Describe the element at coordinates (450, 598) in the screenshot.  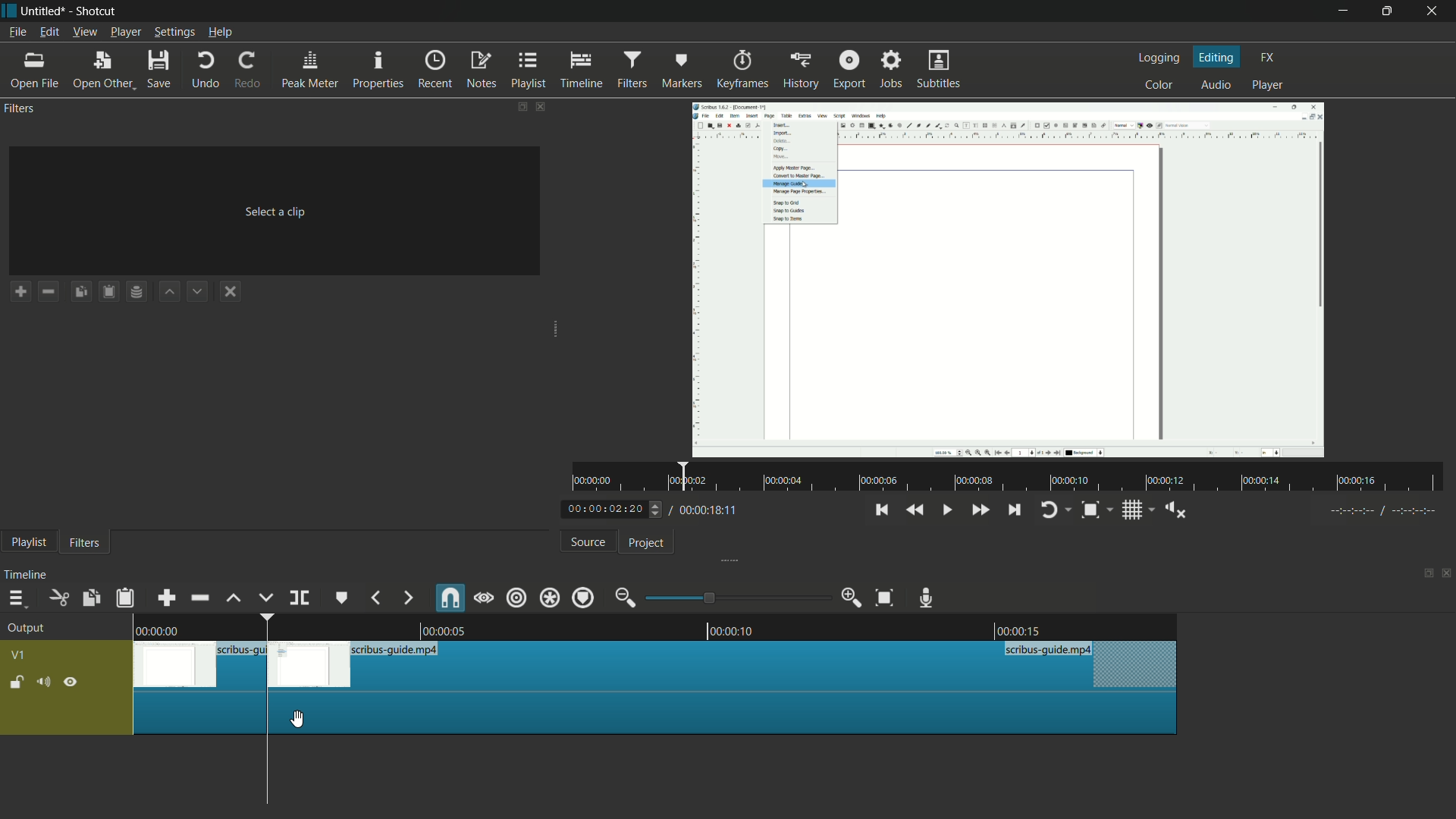
I see `snap` at that location.